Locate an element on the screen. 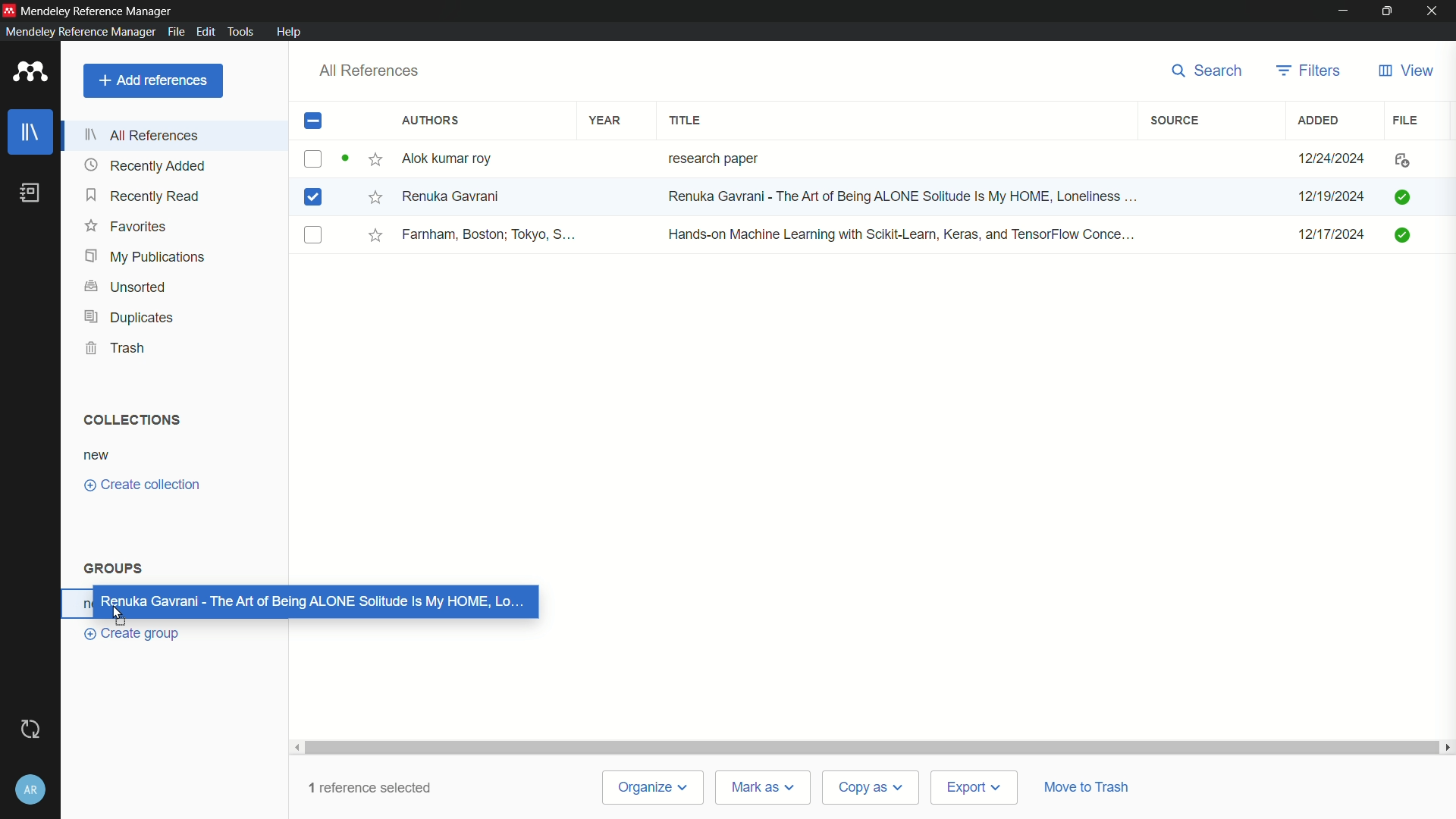 This screenshot has width=1456, height=819. Renuka Gavrani is located at coordinates (451, 196).